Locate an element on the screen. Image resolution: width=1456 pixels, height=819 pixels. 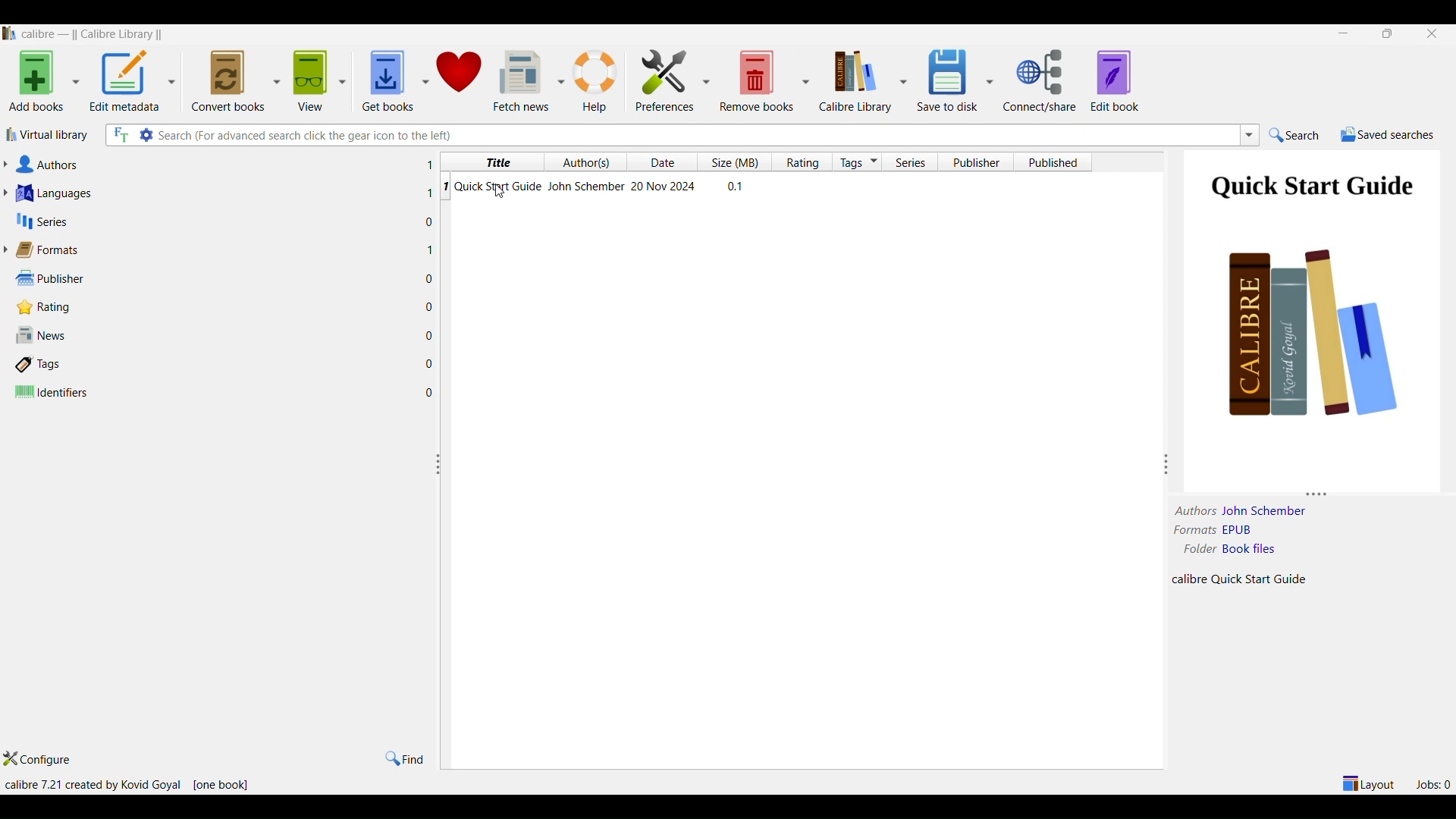
resize is located at coordinates (440, 464).